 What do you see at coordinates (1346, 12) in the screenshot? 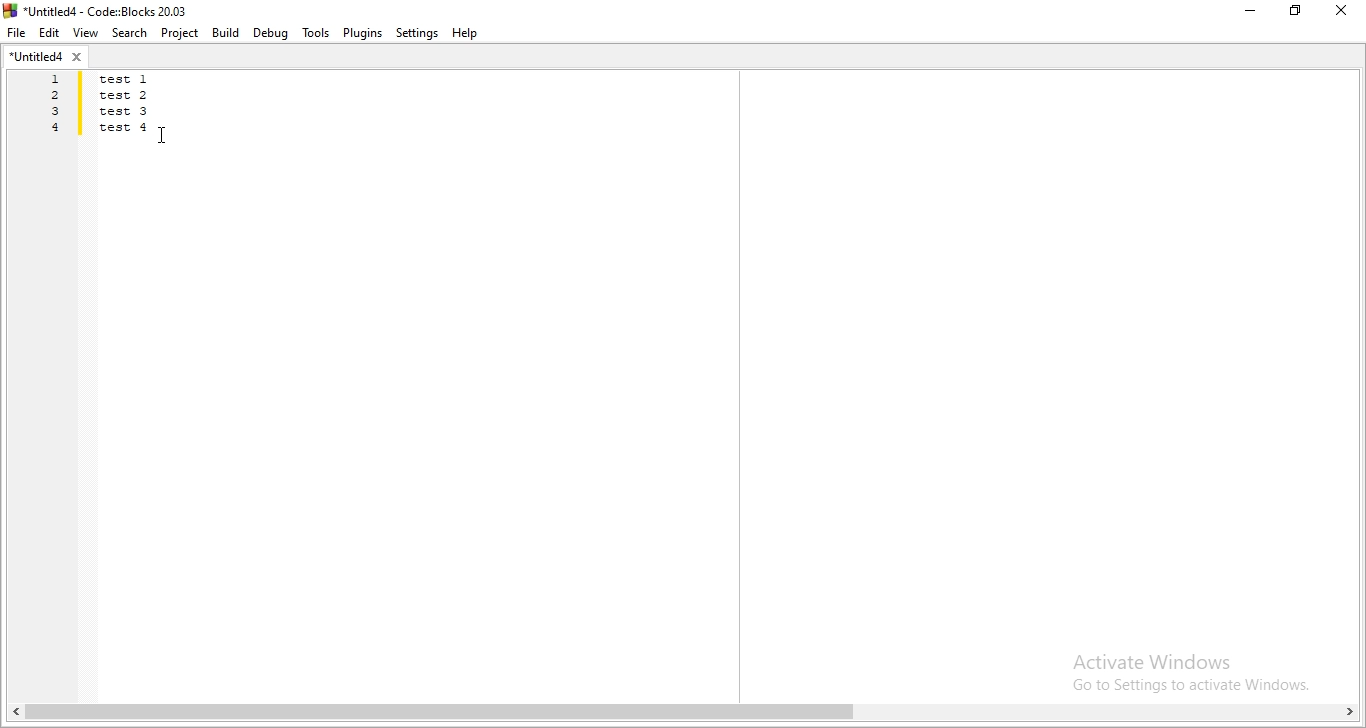
I see `close` at bounding box center [1346, 12].